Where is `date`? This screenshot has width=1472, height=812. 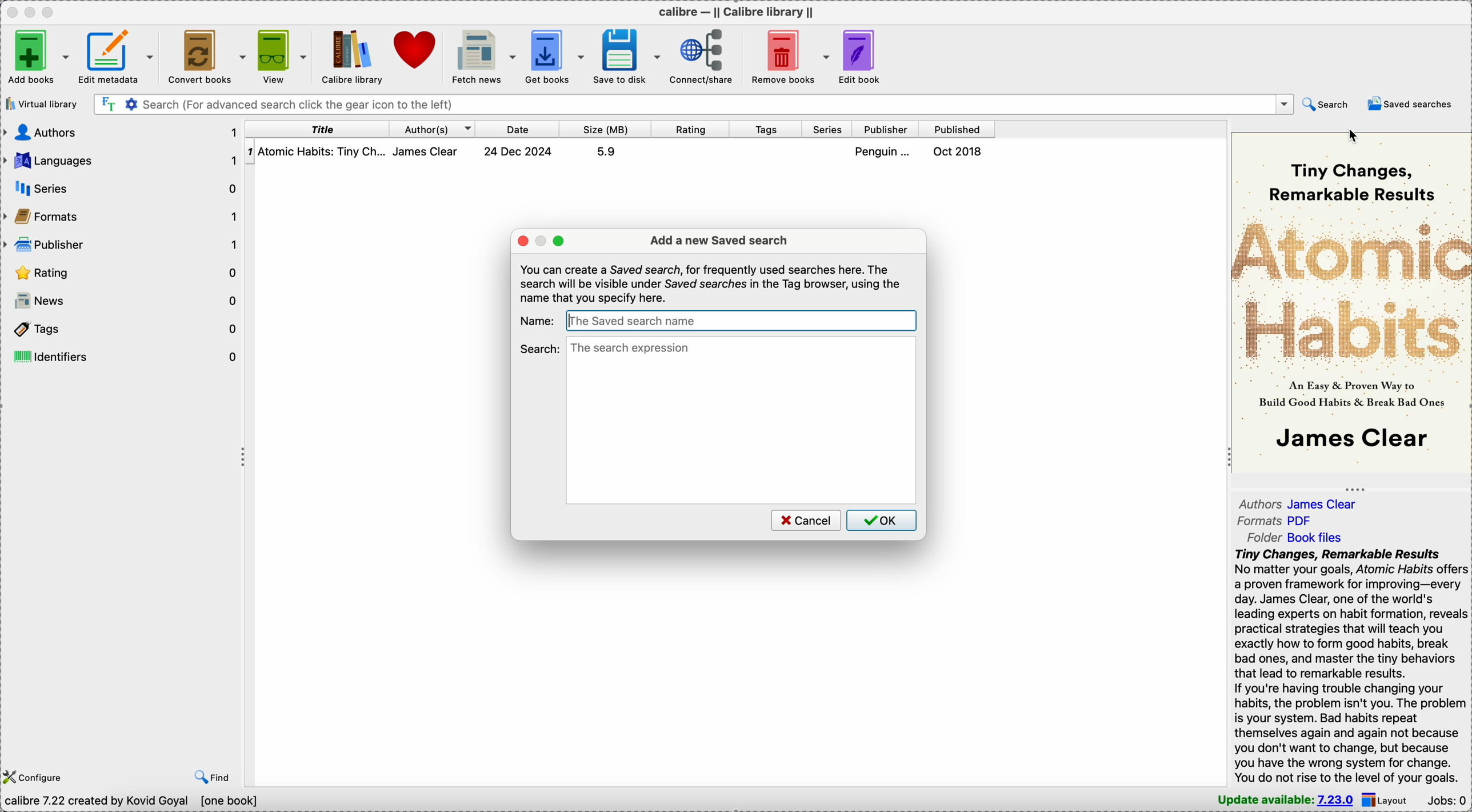
date is located at coordinates (518, 129).